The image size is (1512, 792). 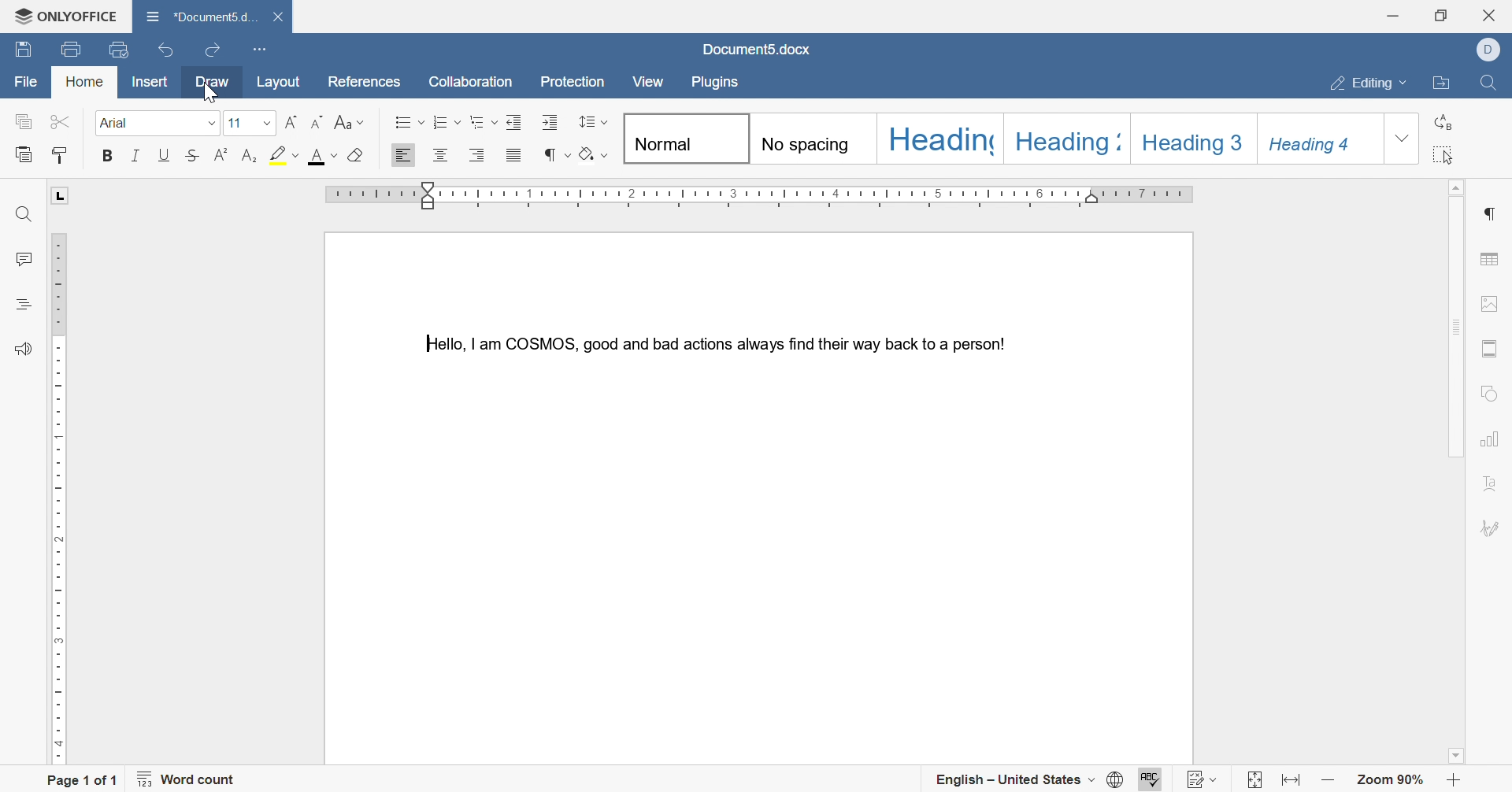 What do you see at coordinates (362, 82) in the screenshot?
I see `references` at bounding box center [362, 82].